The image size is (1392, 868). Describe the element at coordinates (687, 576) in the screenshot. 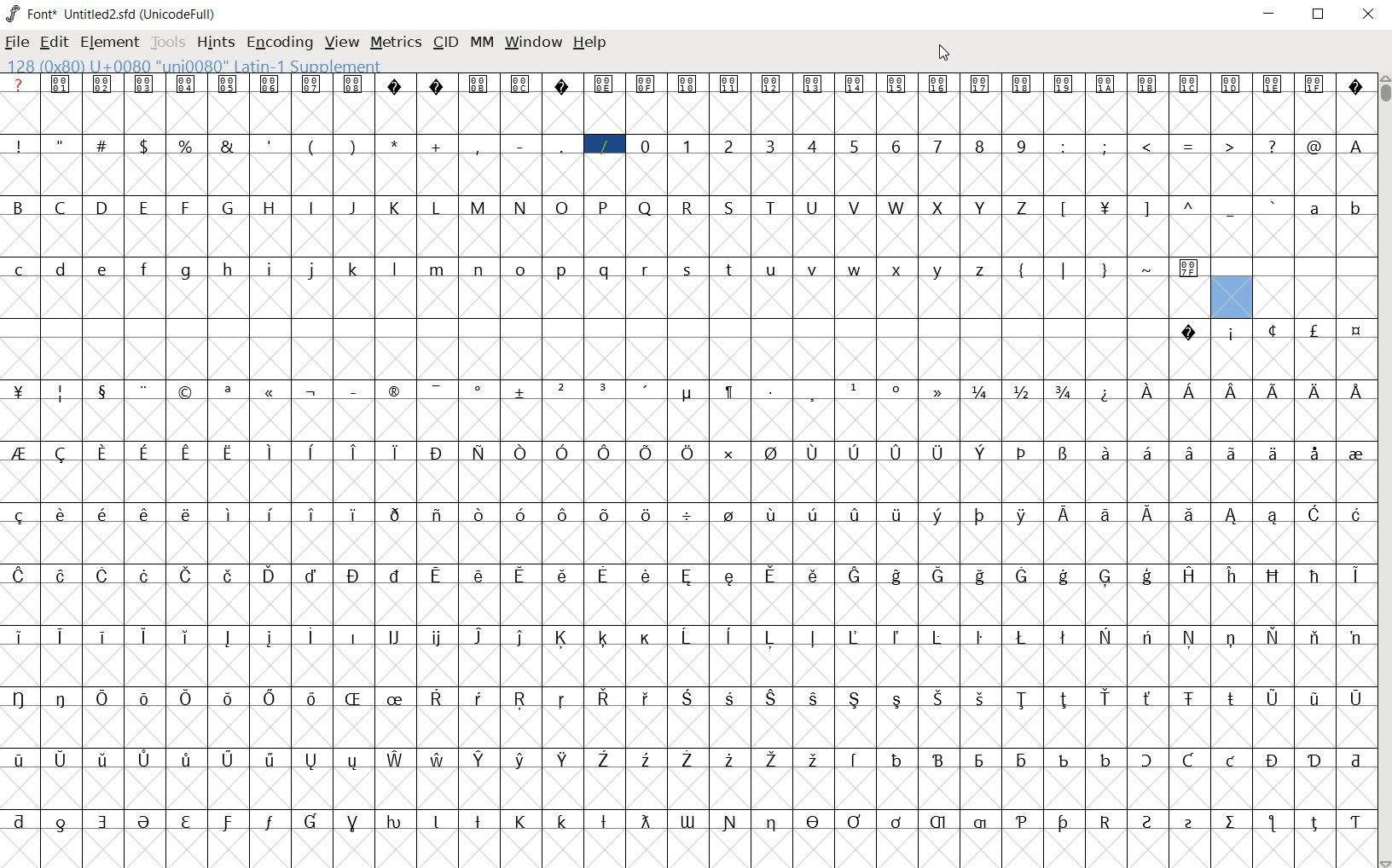

I see `glyph` at that location.